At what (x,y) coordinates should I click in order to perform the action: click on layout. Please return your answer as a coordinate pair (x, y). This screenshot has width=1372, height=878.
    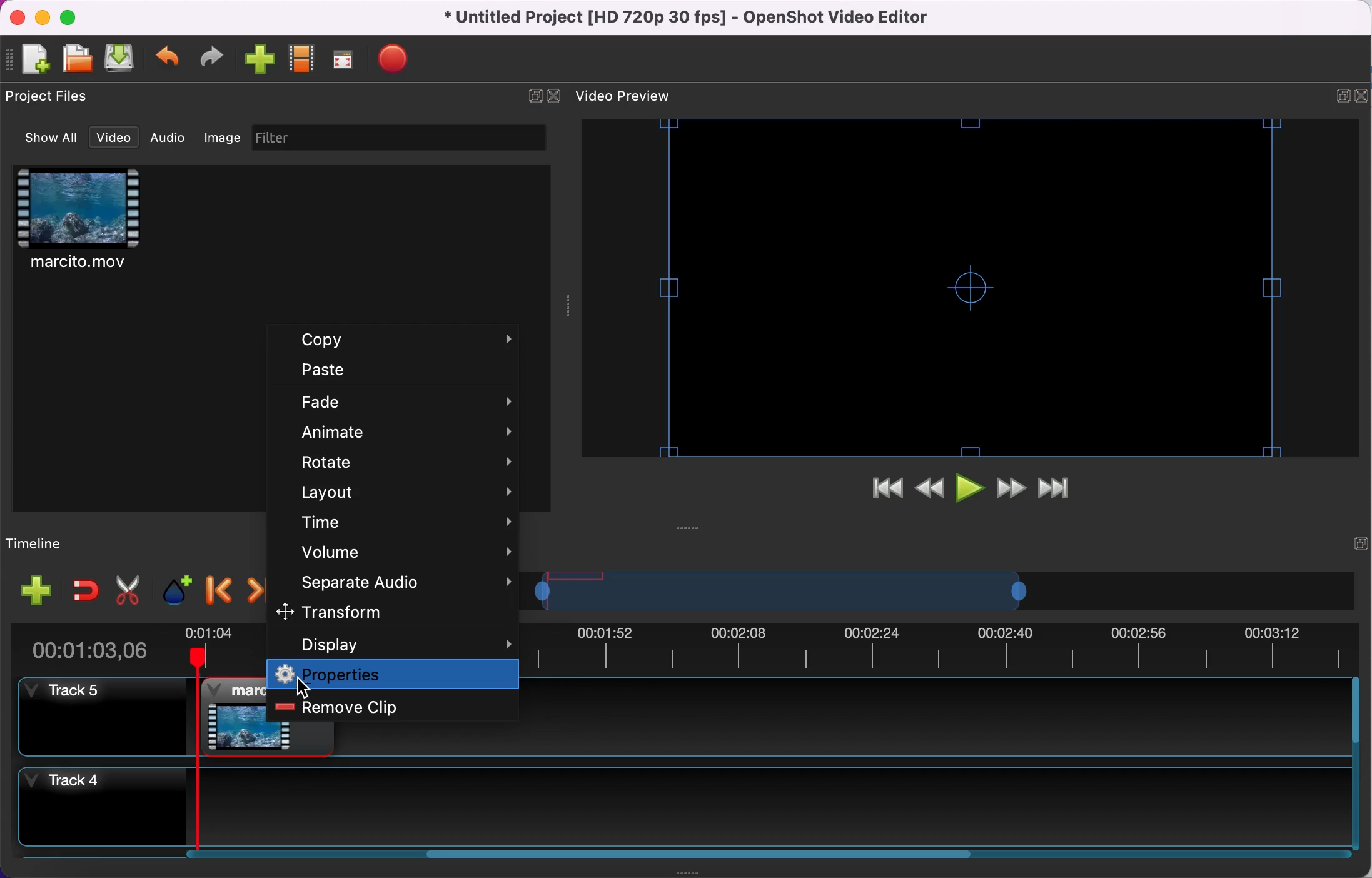
    Looking at the image, I should click on (391, 491).